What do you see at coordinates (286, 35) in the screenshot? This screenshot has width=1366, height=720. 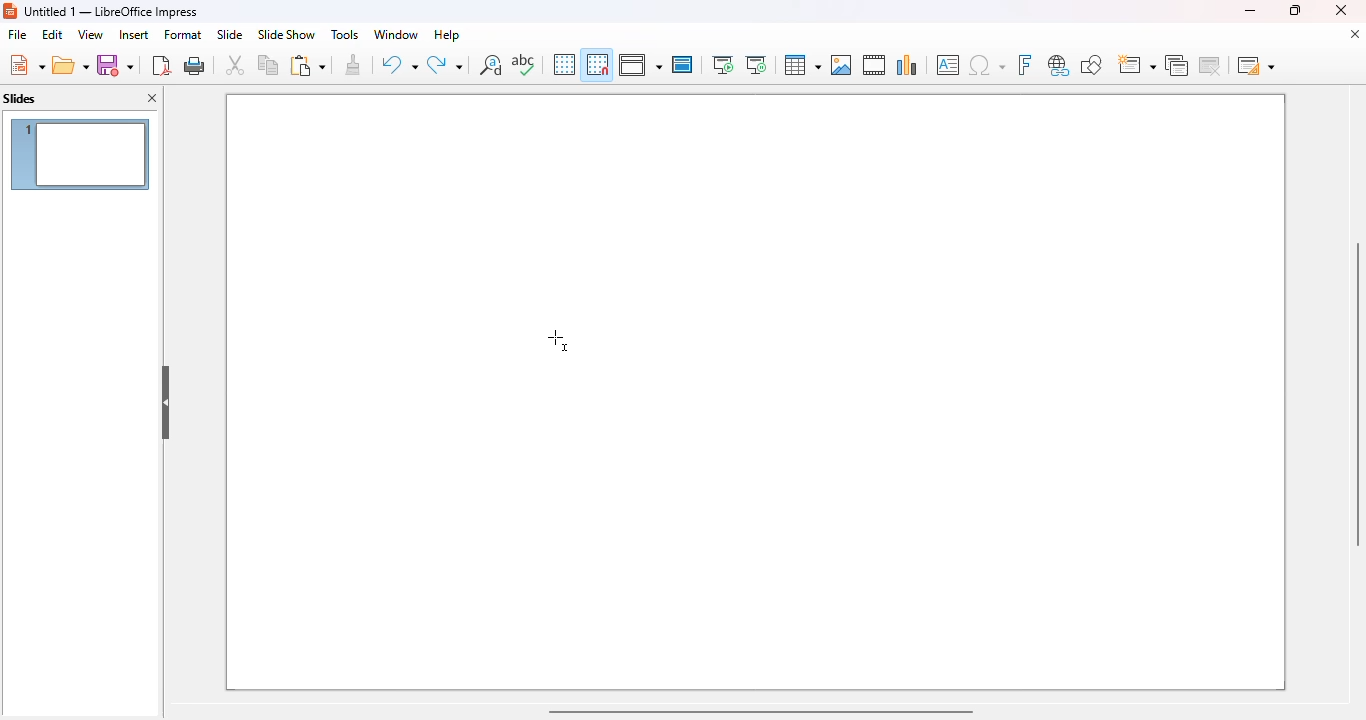 I see `slide show` at bounding box center [286, 35].